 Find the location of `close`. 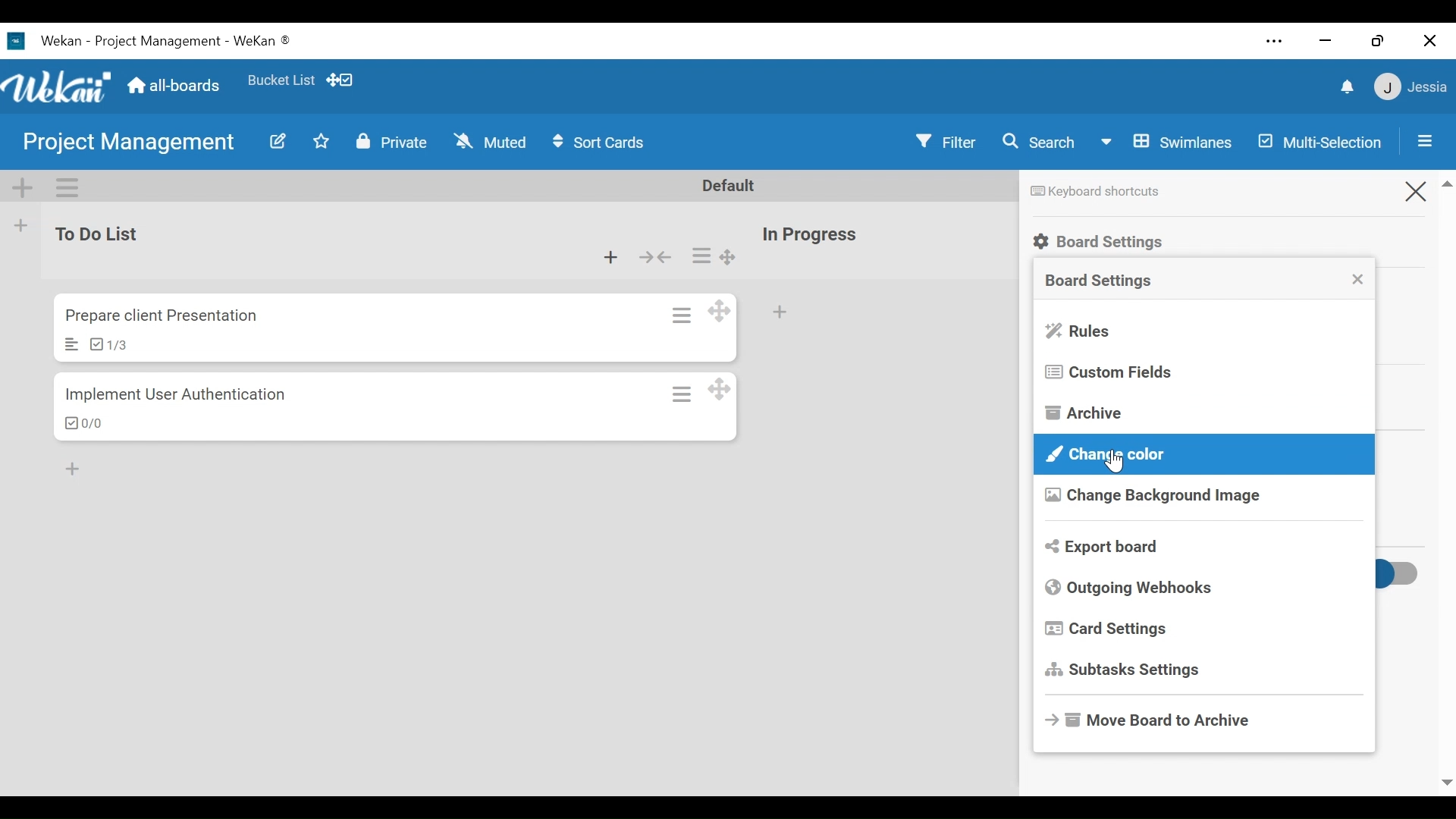

close is located at coordinates (1427, 38).